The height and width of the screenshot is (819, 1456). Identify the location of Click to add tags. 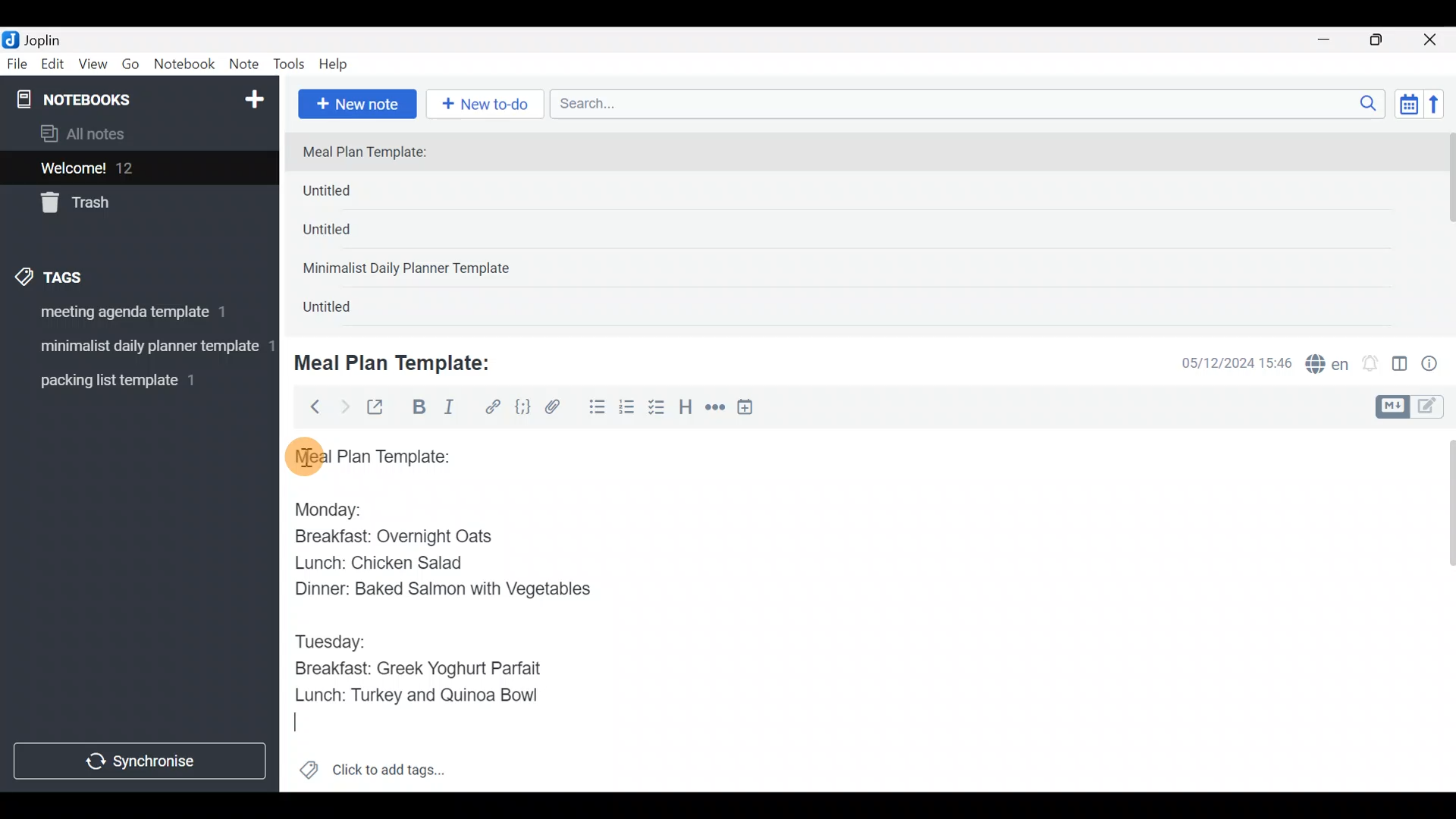
(372, 775).